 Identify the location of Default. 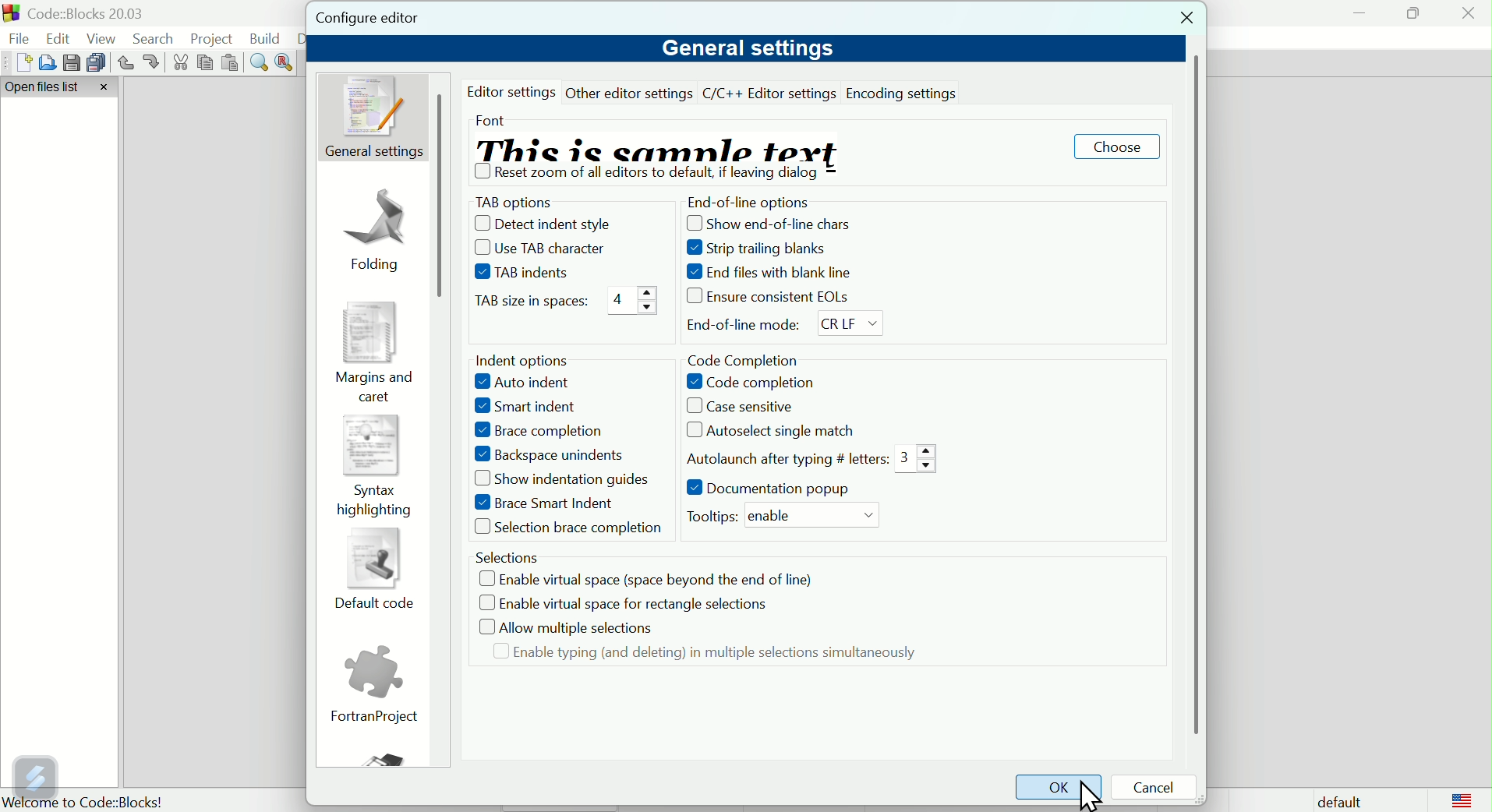
(1336, 800).